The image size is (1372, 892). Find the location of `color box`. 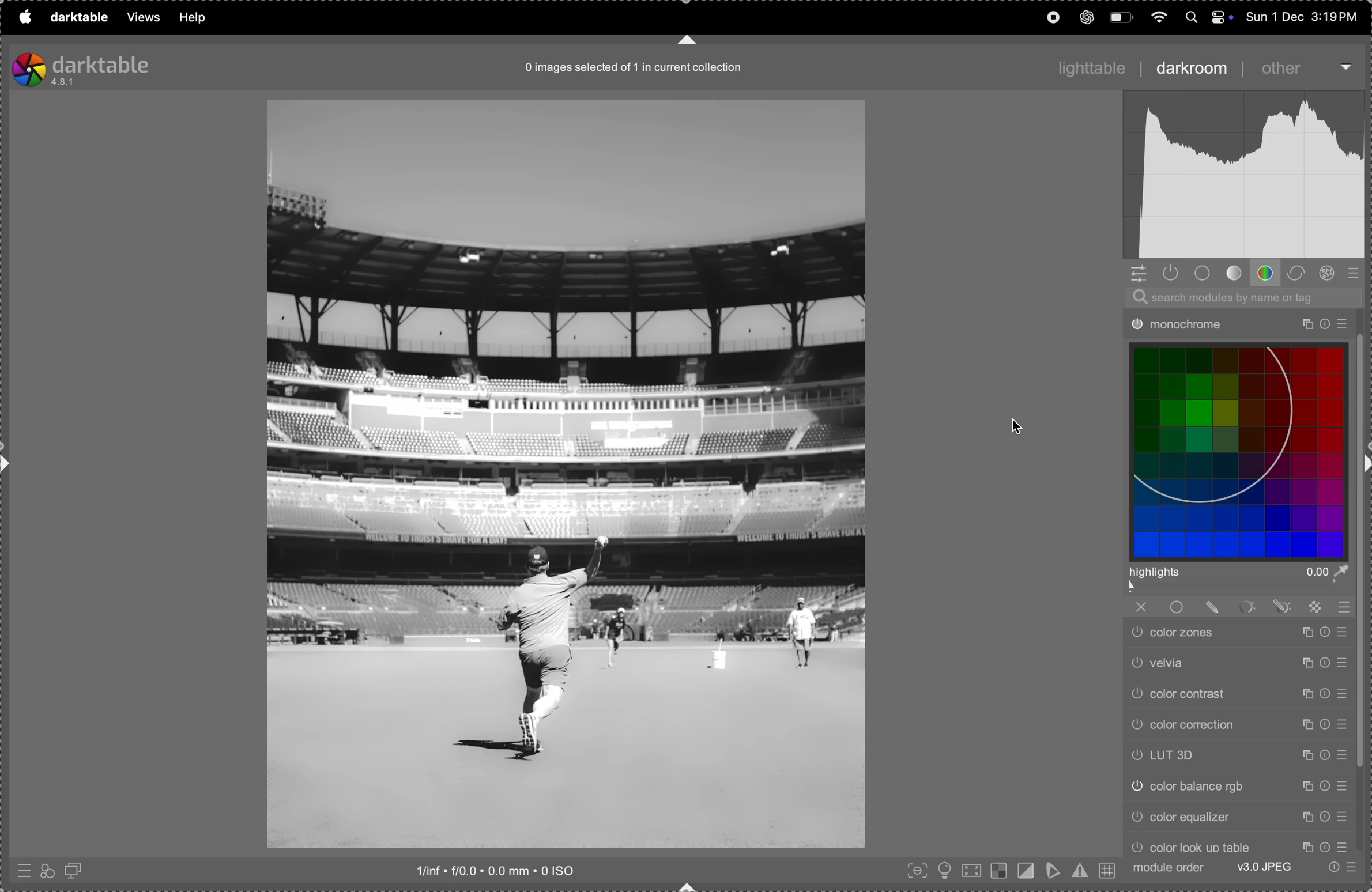

color box is located at coordinates (1241, 450).